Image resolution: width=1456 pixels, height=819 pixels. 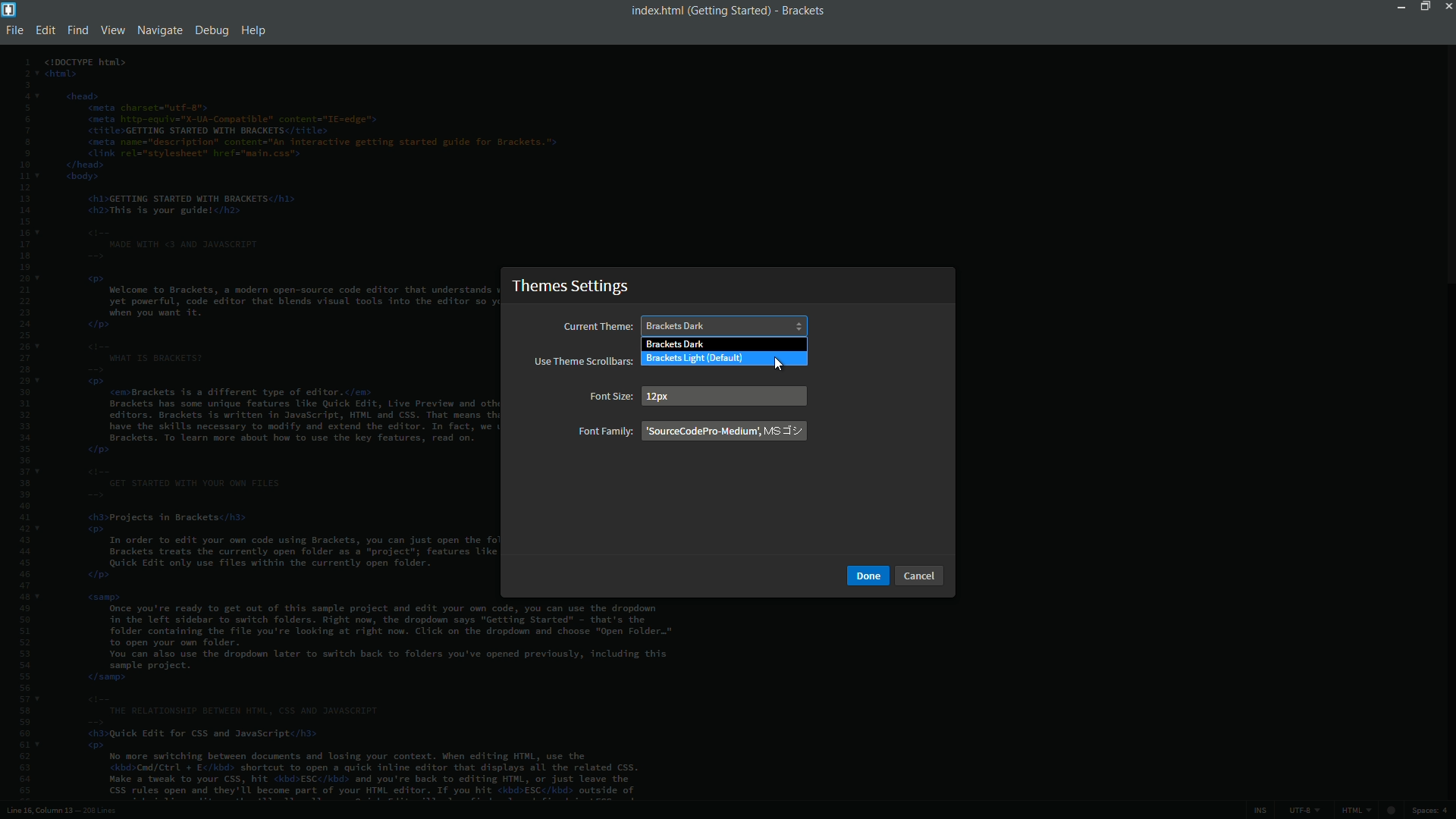 What do you see at coordinates (610, 397) in the screenshot?
I see `font size` at bounding box center [610, 397].